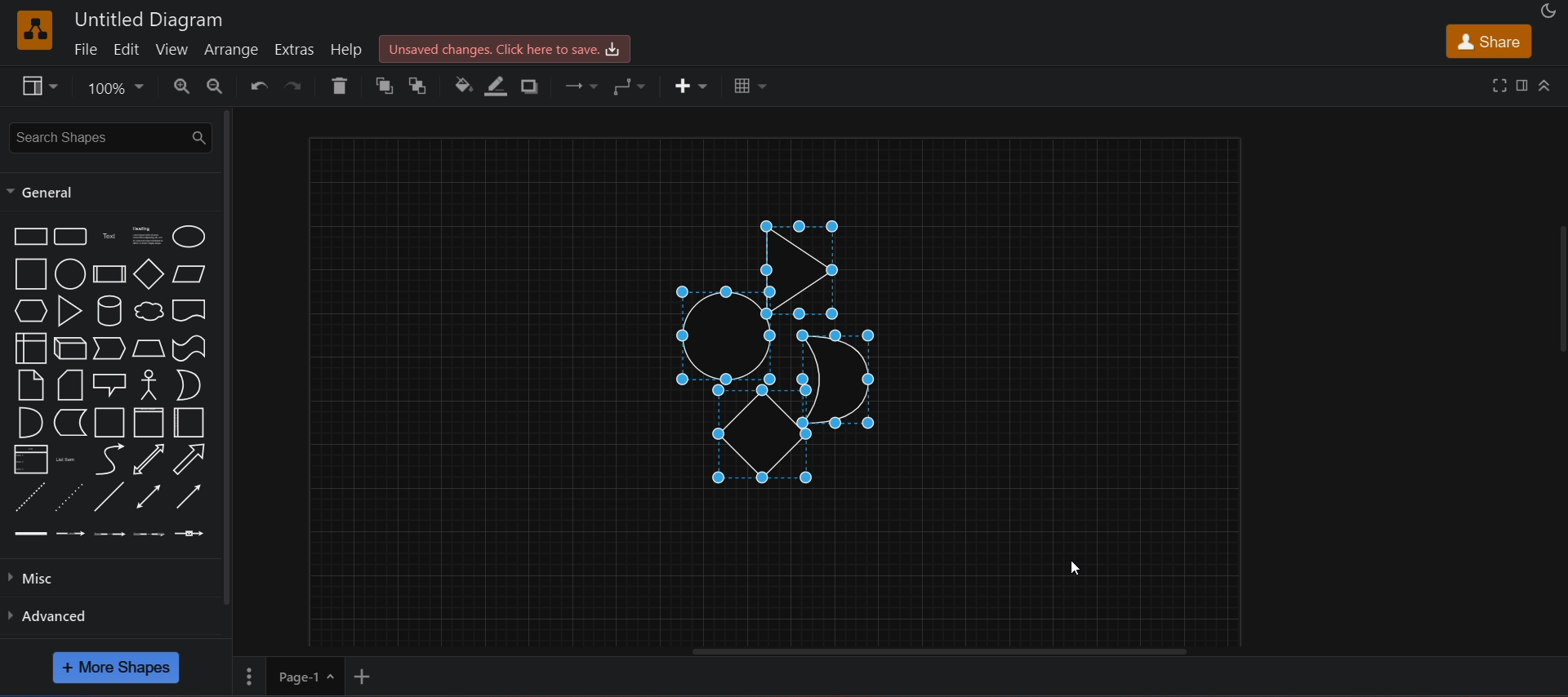 The image size is (1568, 697). I want to click on tape, so click(189, 348).